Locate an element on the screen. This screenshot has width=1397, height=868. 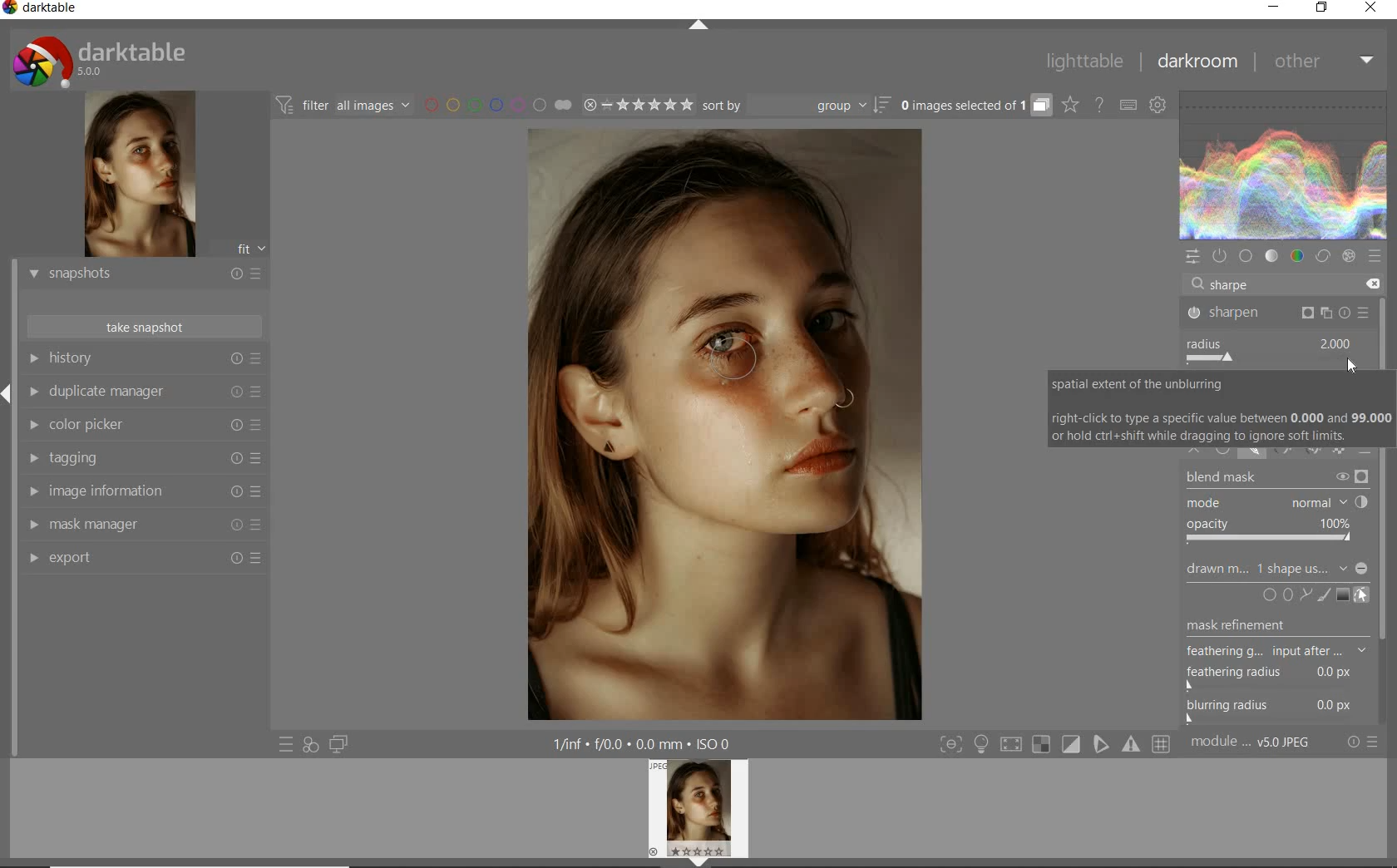
quick access panel is located at coordinates (1193, 257).